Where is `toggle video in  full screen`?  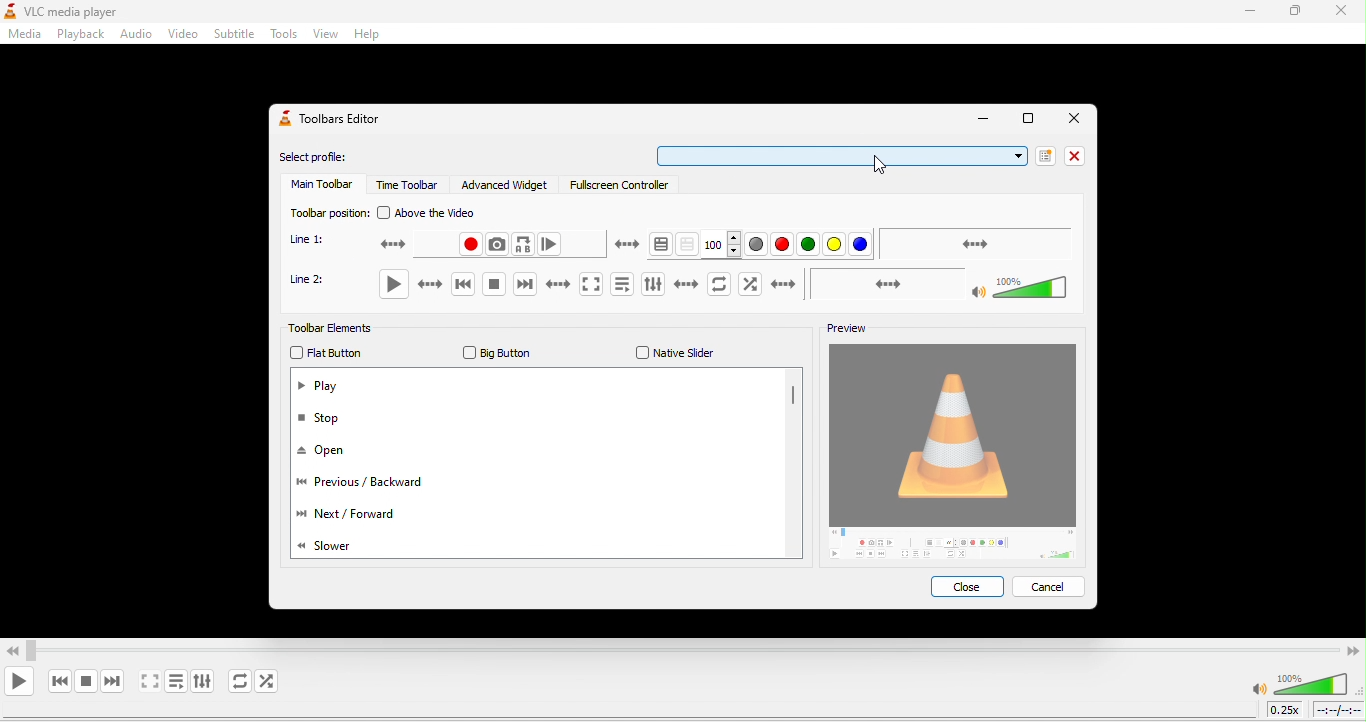
toggle video in  full screen is located at coordinates (147, 683).